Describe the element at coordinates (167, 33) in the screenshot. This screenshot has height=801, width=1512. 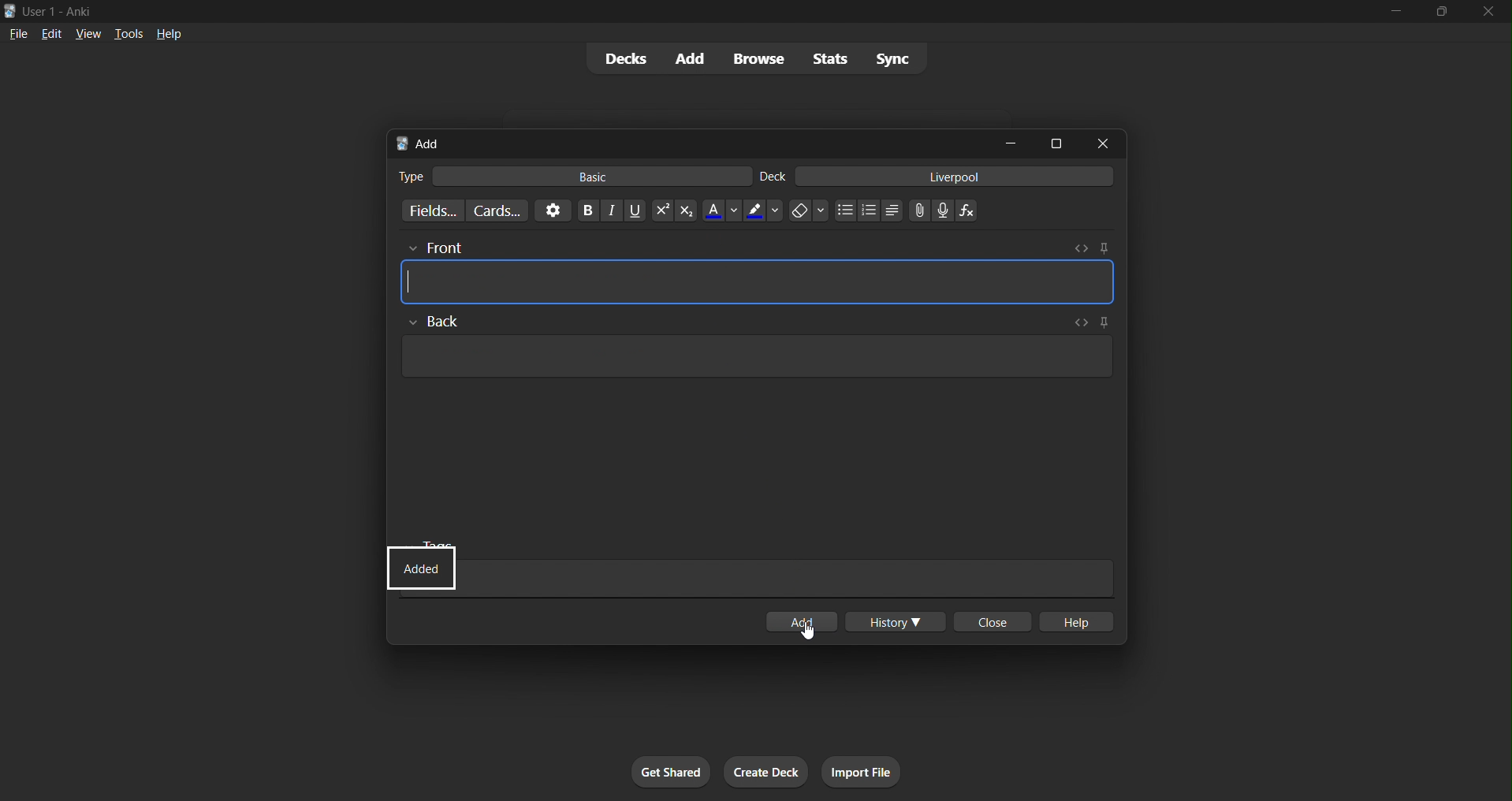
I see `help` at that location.